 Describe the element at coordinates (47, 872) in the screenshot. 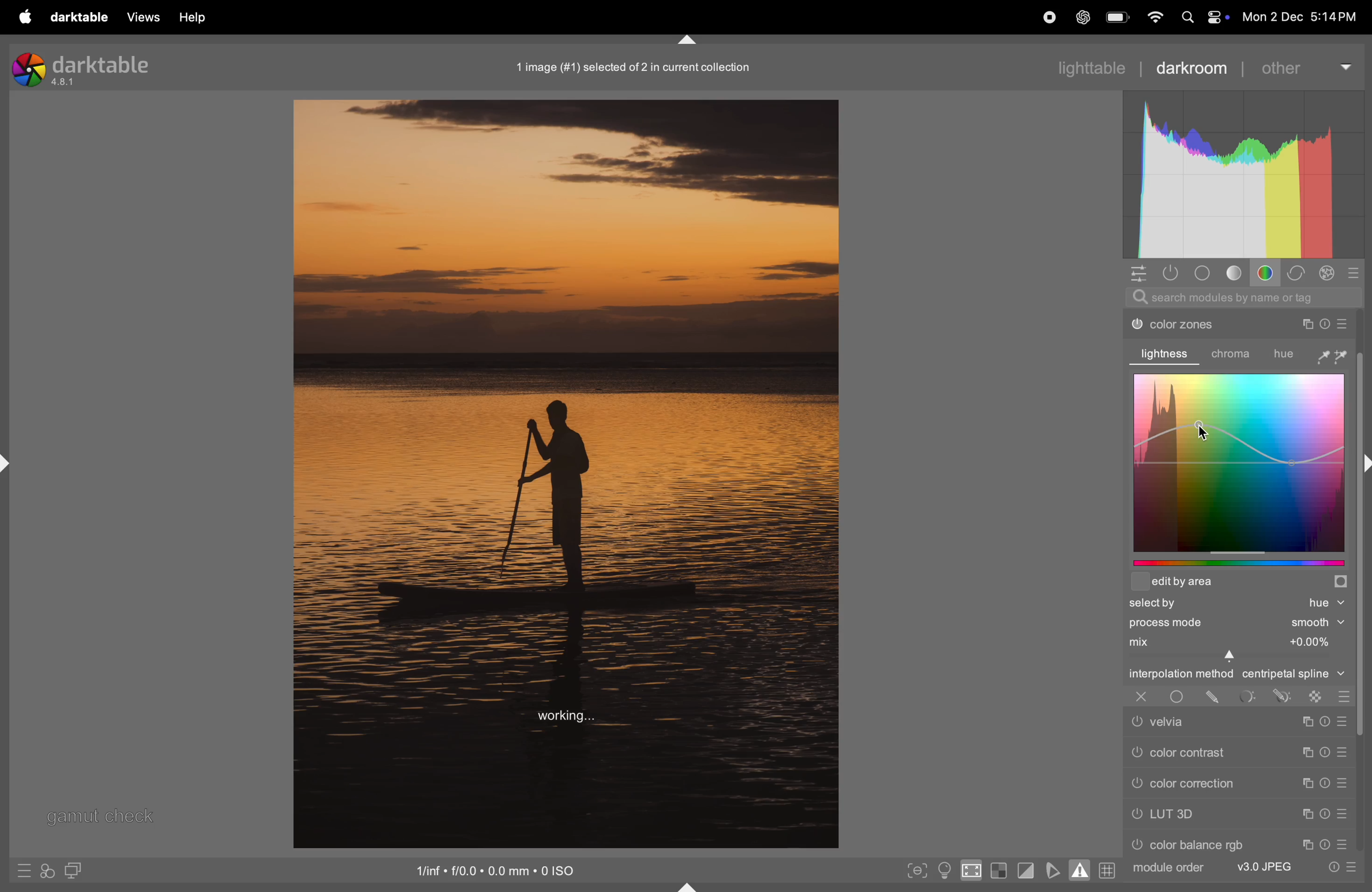

I see `styles` at that location.